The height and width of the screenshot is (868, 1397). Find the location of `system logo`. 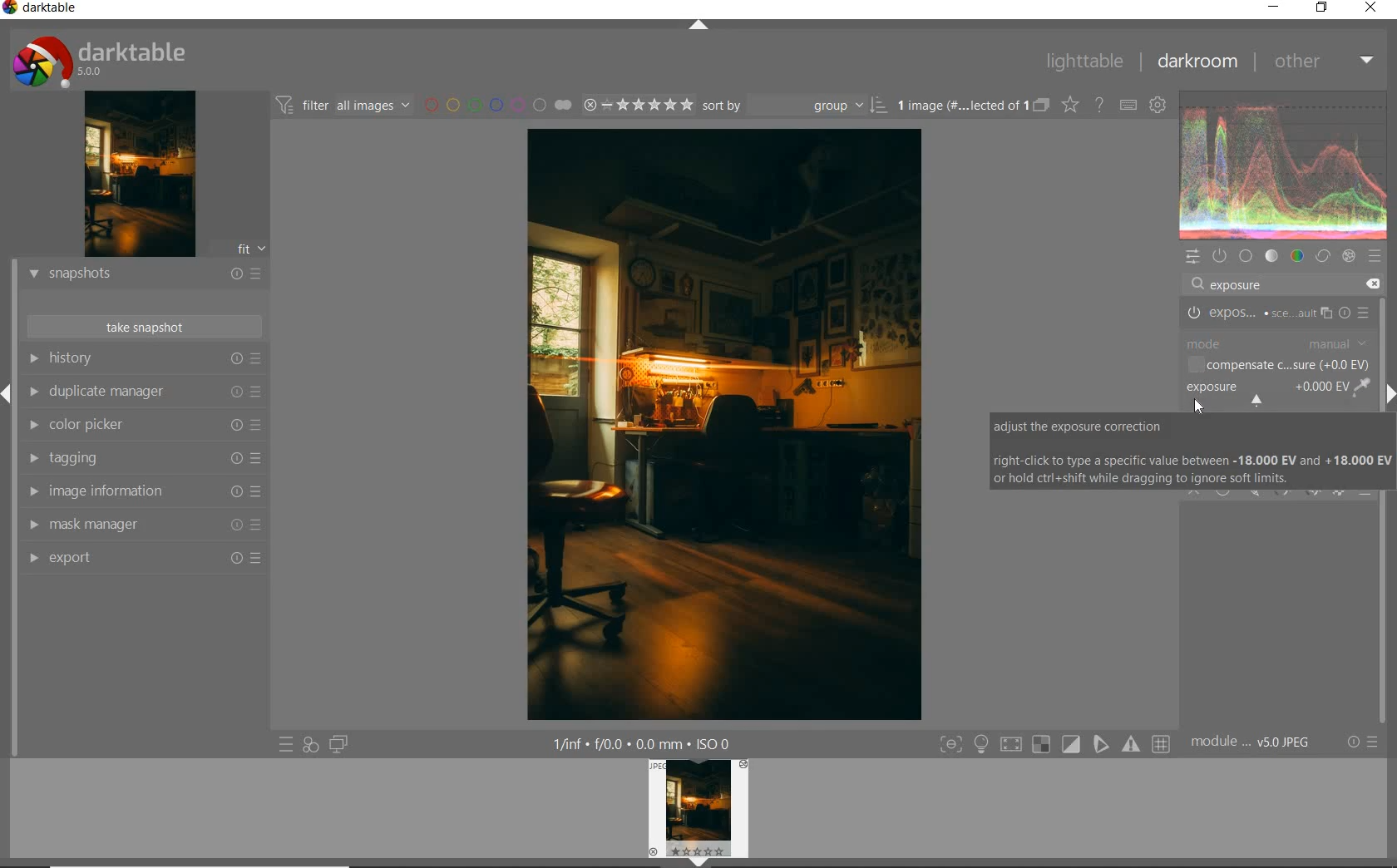

system logo is located at coordinates (94, 62).